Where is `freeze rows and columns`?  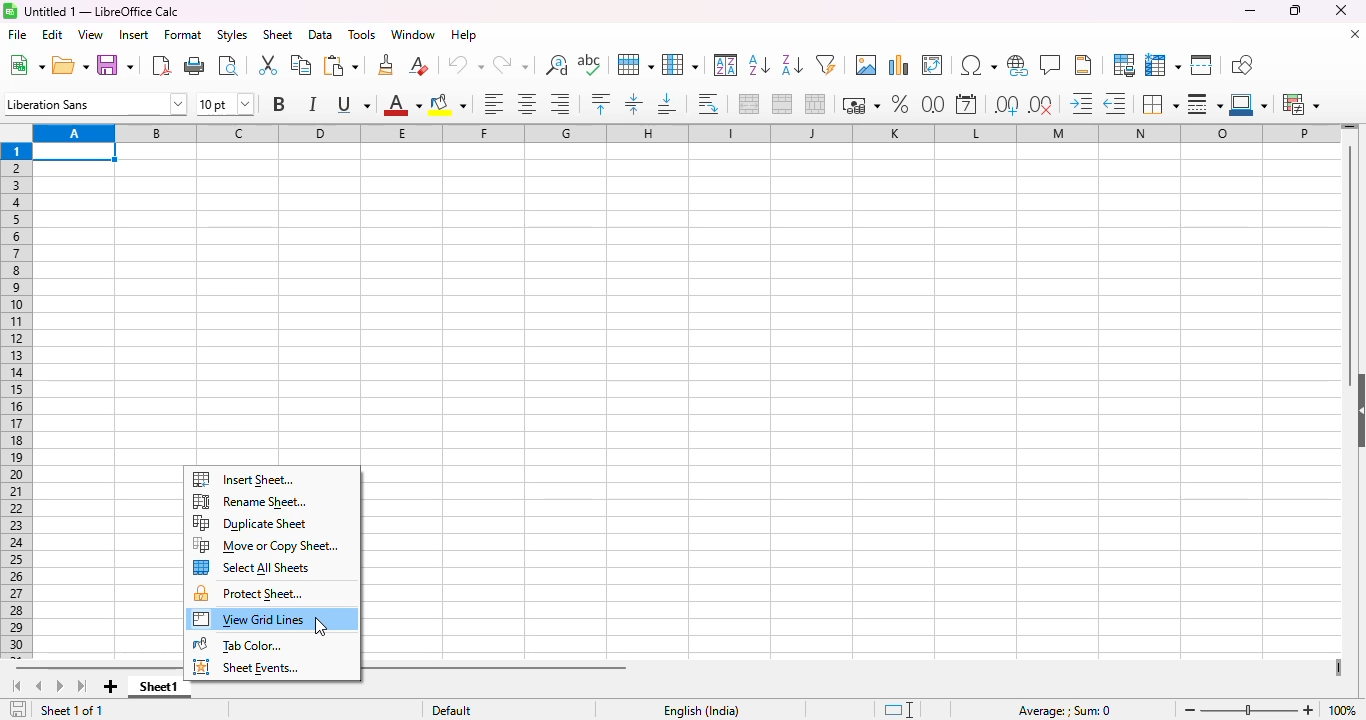
freeze rows and columns is located at coordinates (1163, 65).